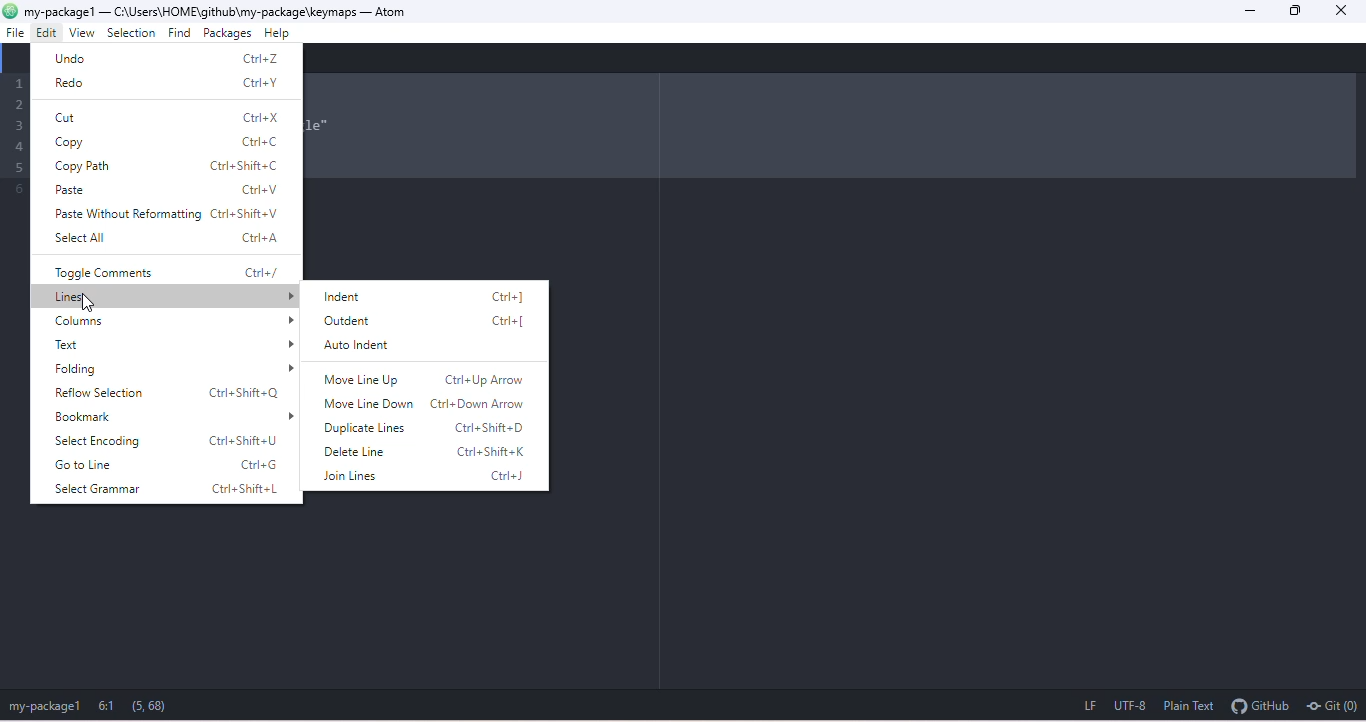 Image resolution: width=1366 pixels, height=722 pixels. What do you see at coordinates (12, 34) in the screenshot?
I see `file` at bounding box center [12, 34].